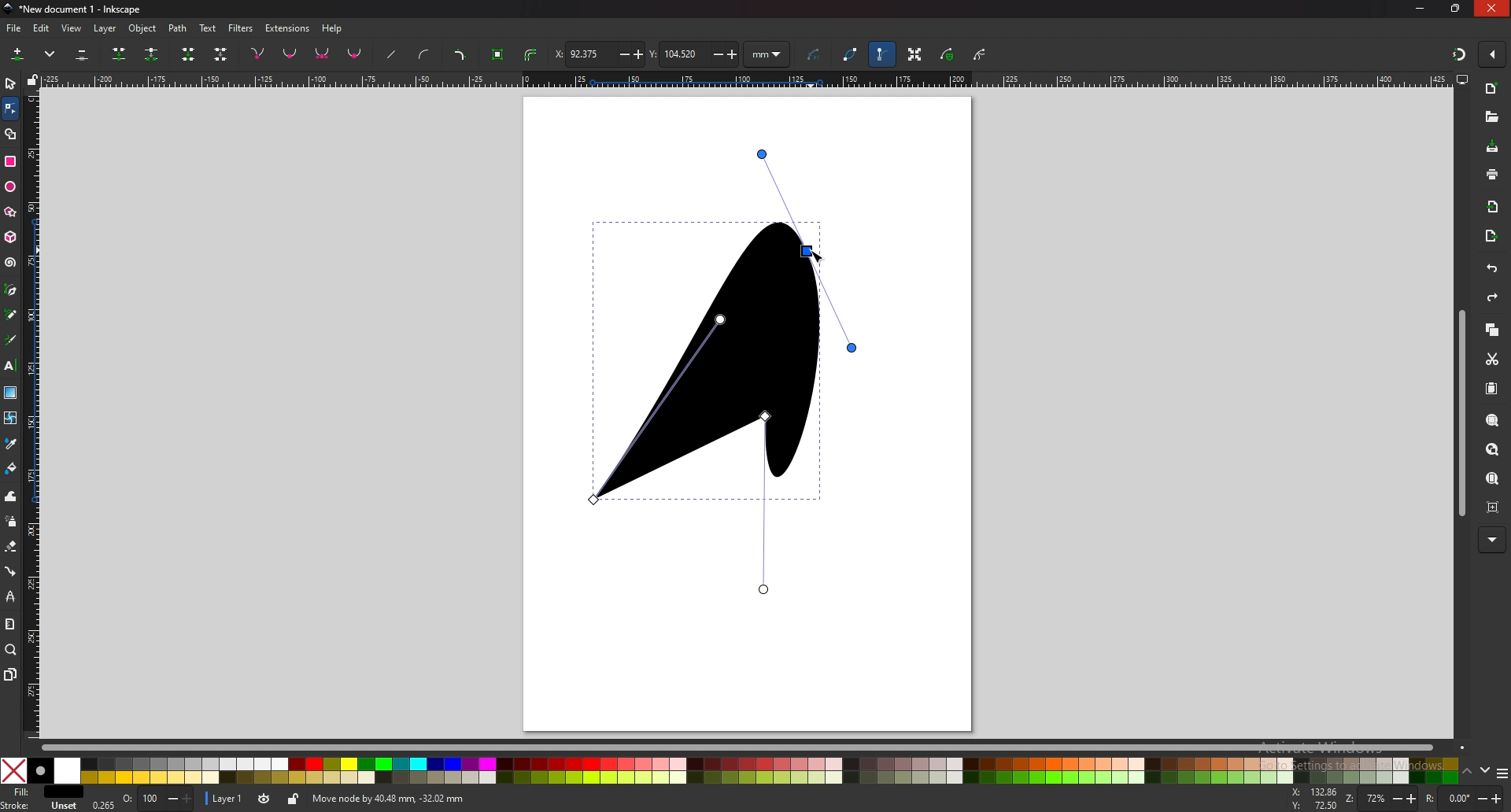  I want to click on show mask, so click(947, 54).